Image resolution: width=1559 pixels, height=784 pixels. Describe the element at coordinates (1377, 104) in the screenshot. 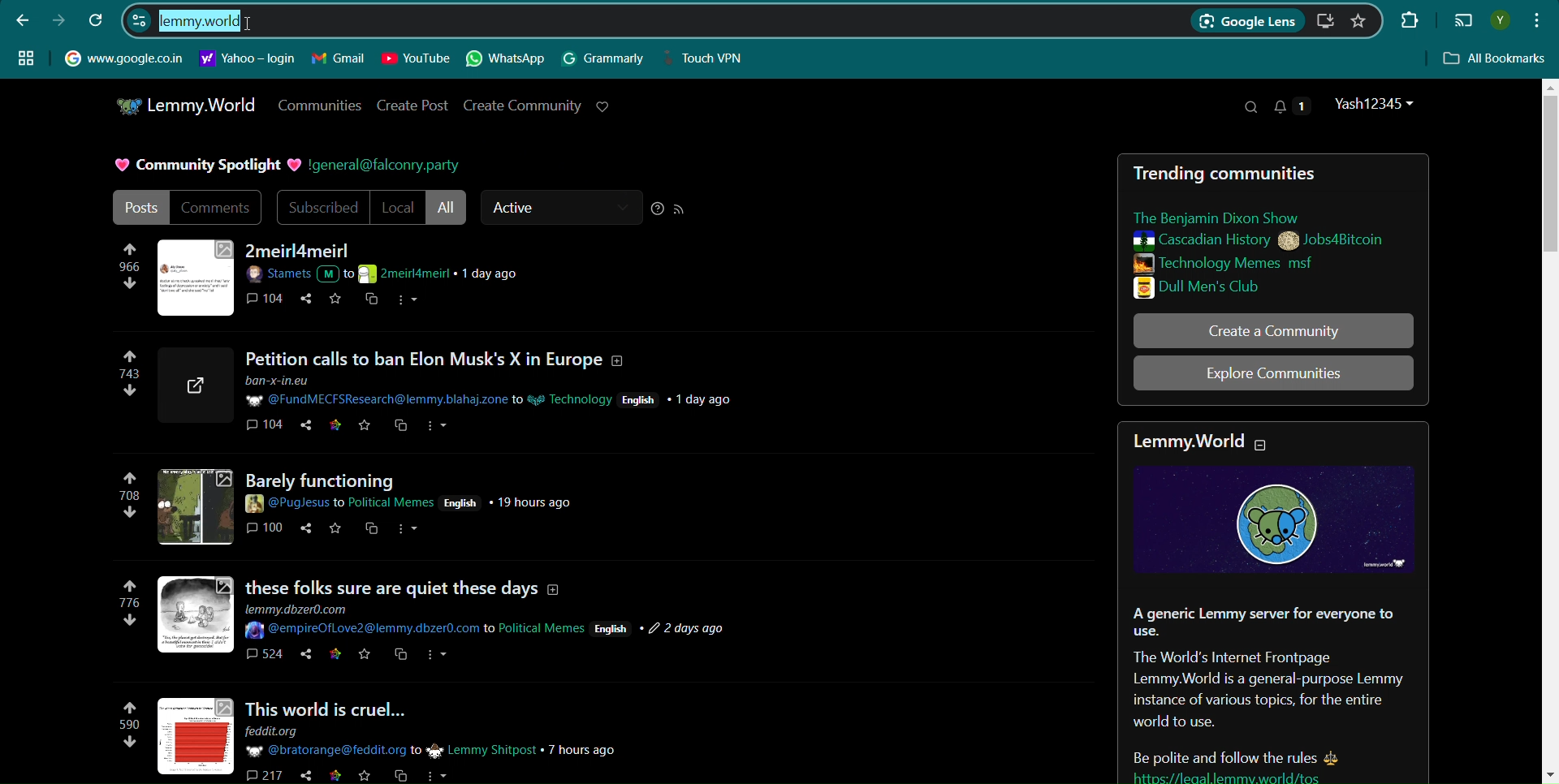

I see `Profile` at that location.